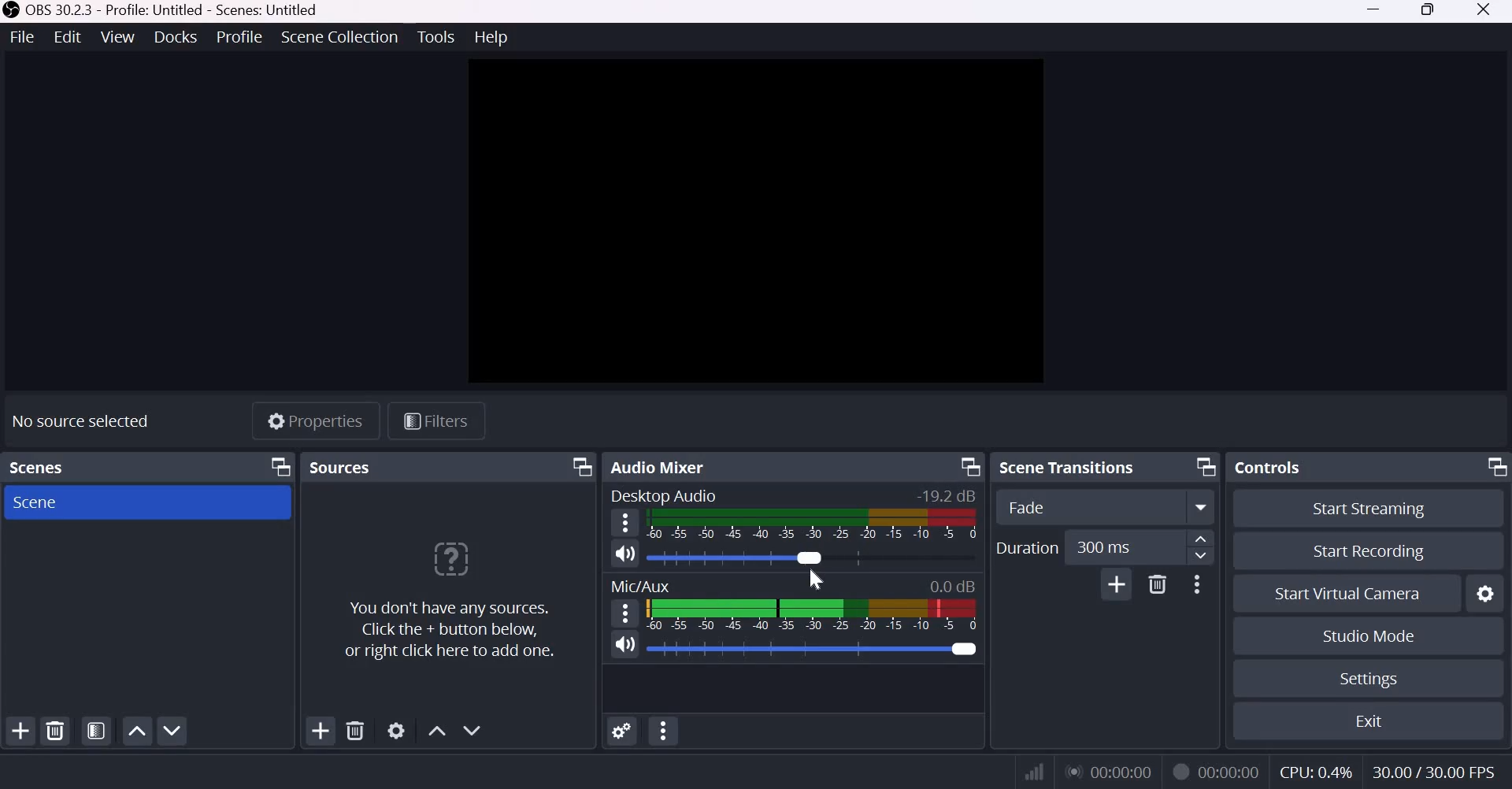 The image size is (1512, 789). I want to click on Docks, so click(176, 36).